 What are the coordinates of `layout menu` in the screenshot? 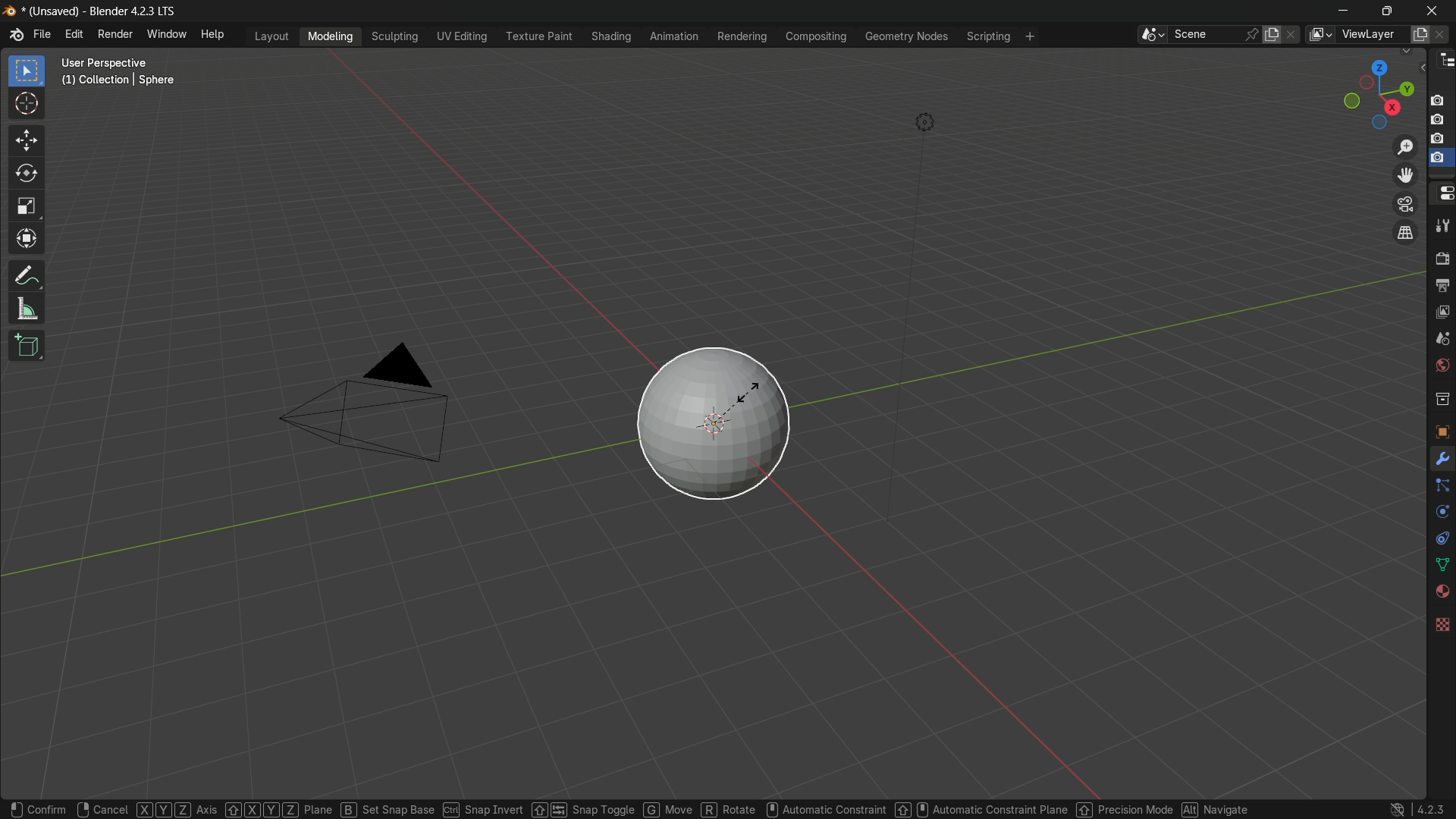 It's located at (271, 36).